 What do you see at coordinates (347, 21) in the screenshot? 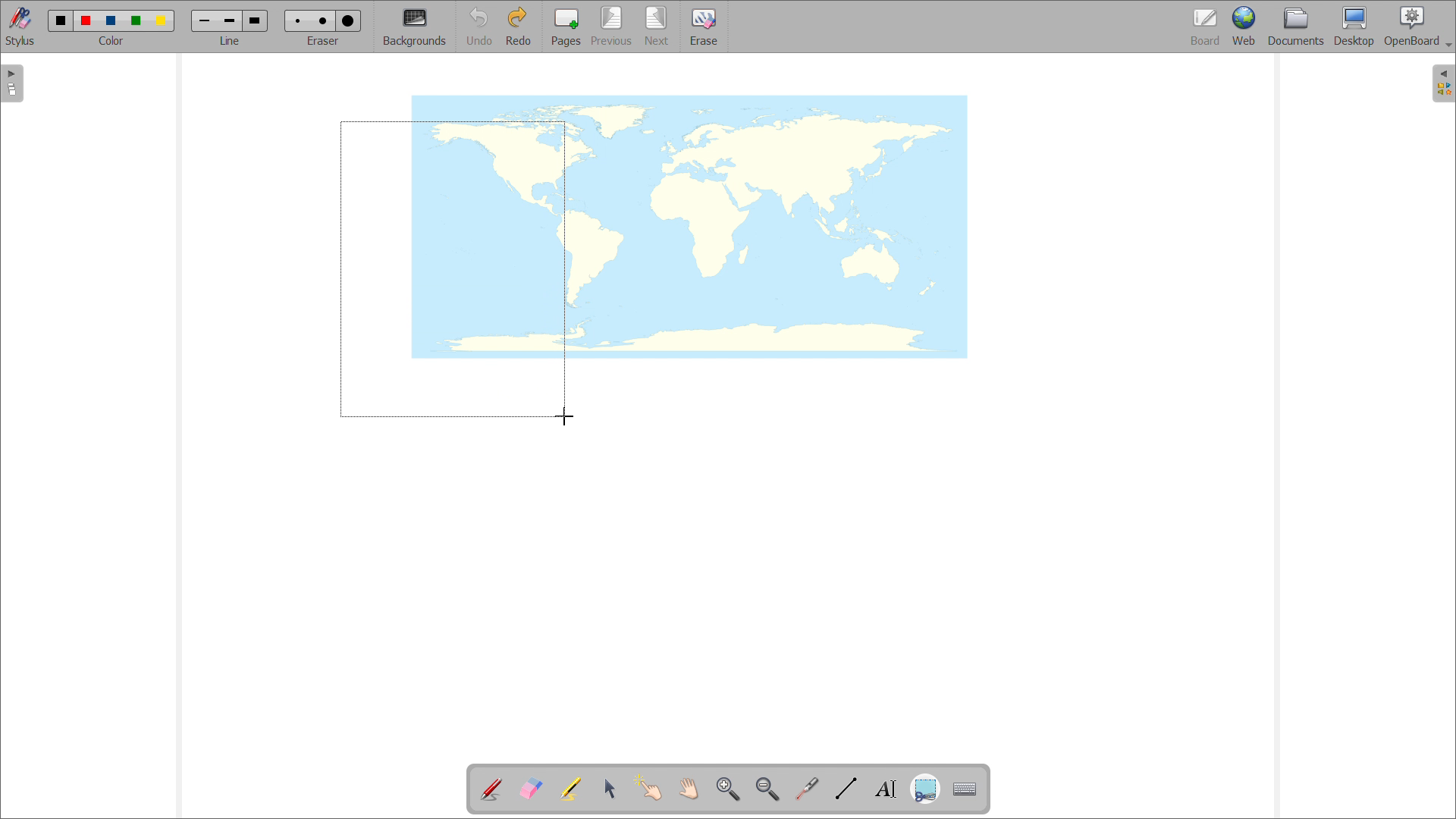
I see `large` at bounding box center [347, 21].